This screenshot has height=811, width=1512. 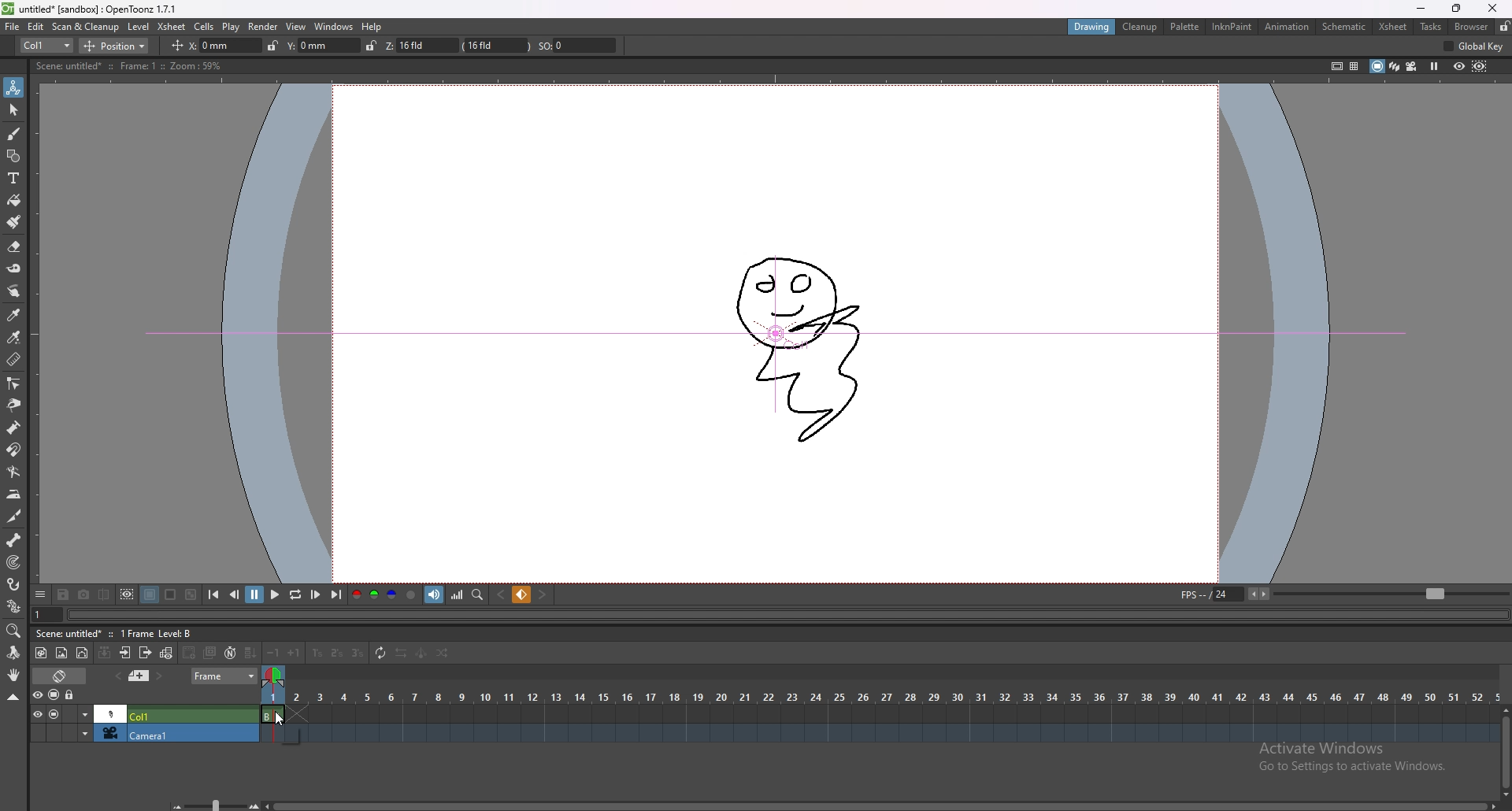 I want to click on new vector level, so click(x=83, y=653).